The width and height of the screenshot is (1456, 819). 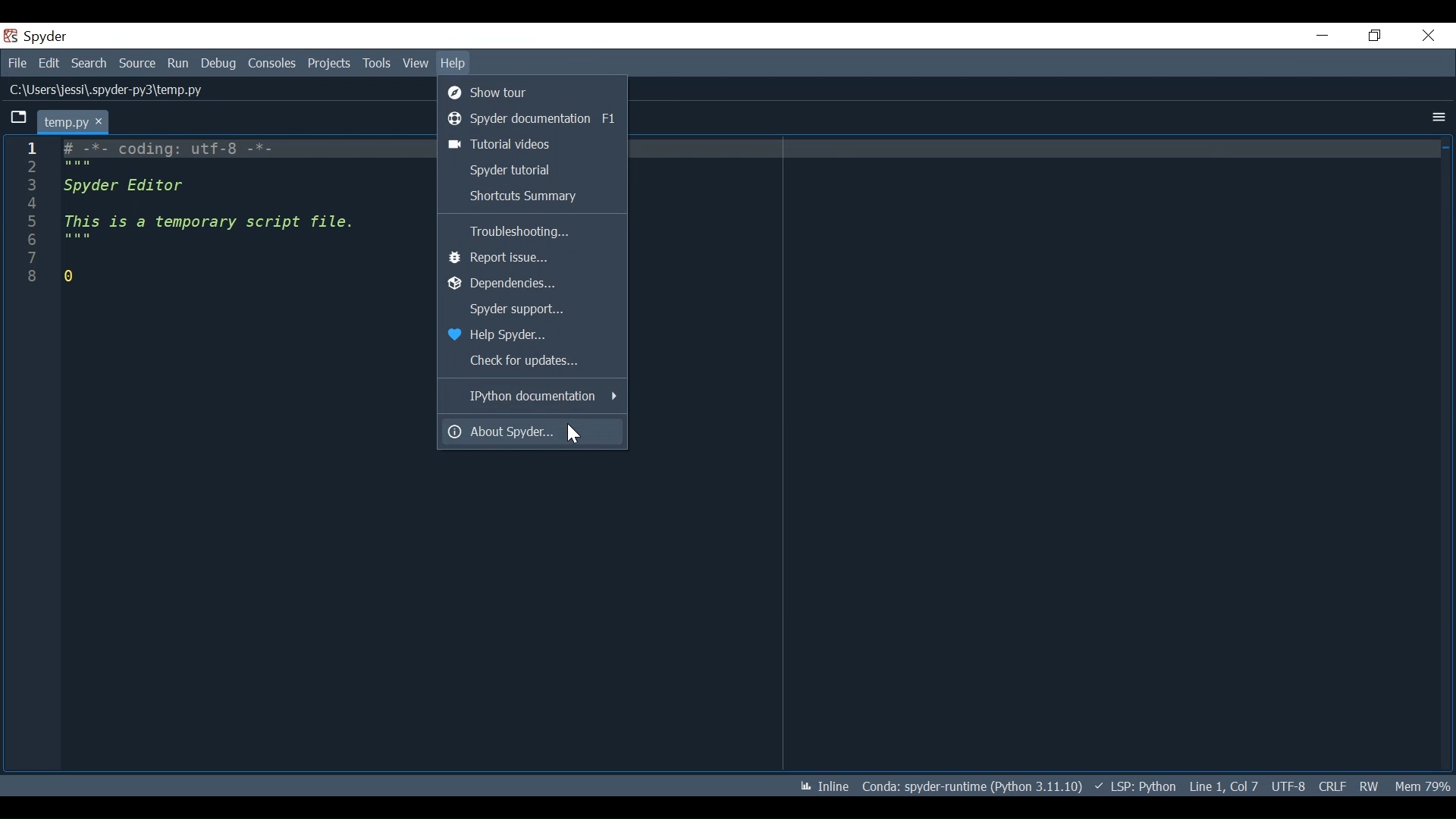 What do you see at coordinates (271, 64) in the screenshot?
I see `Consoles` at bounding box center [271, 64].